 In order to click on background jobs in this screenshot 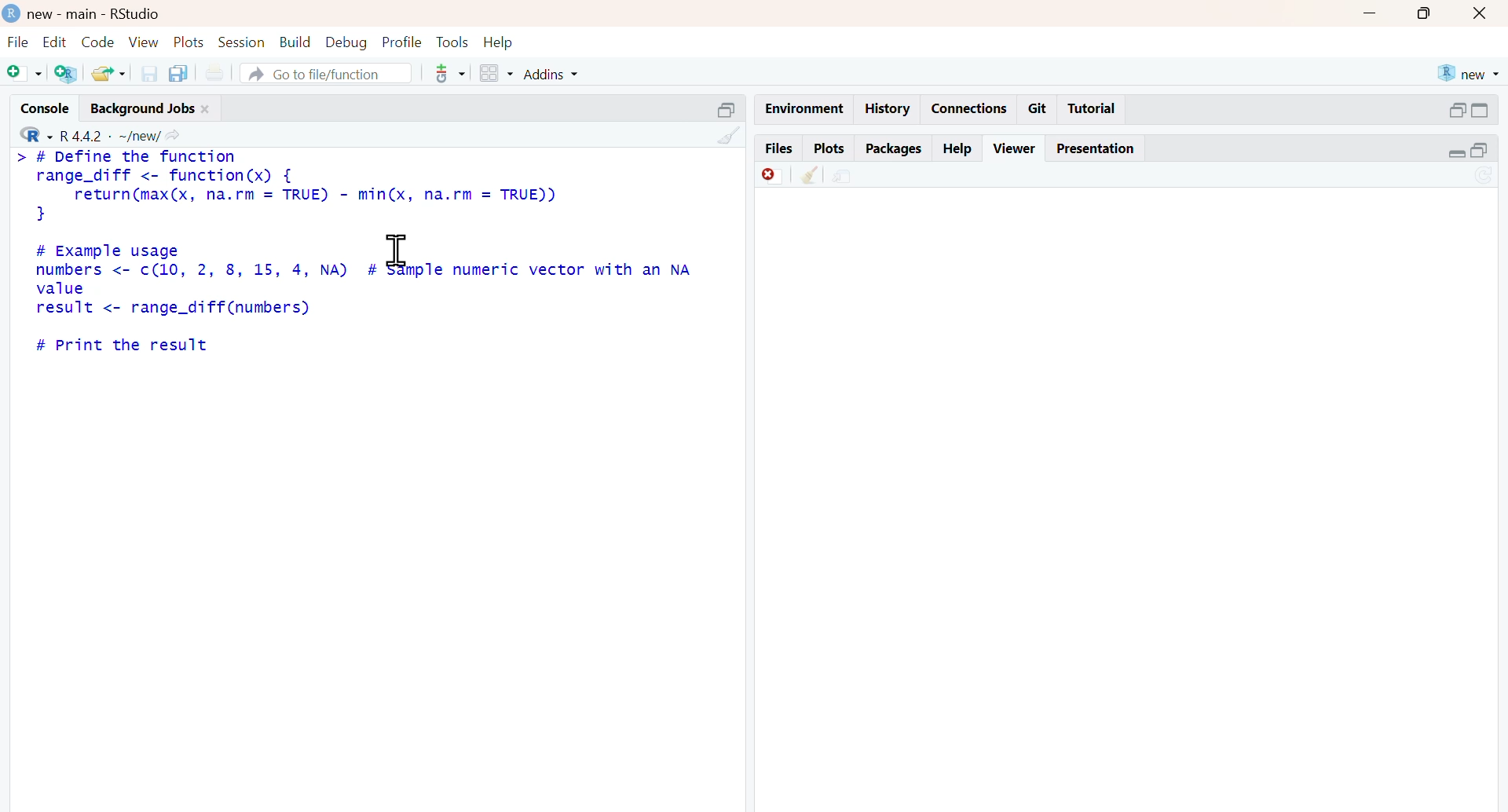, I will do `click(143, 111)`.